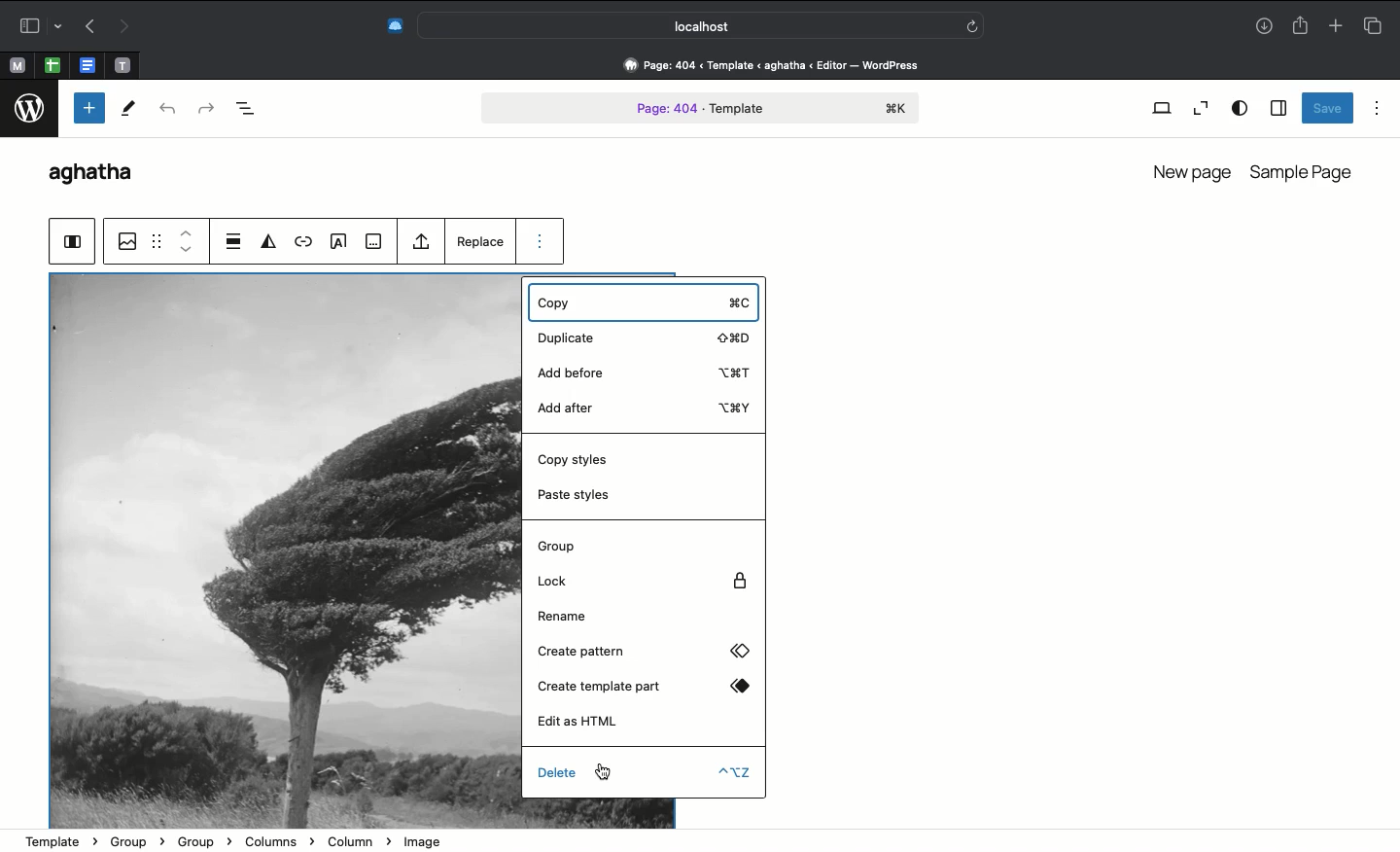  I want to click on Tabs, so click(1378, 23).